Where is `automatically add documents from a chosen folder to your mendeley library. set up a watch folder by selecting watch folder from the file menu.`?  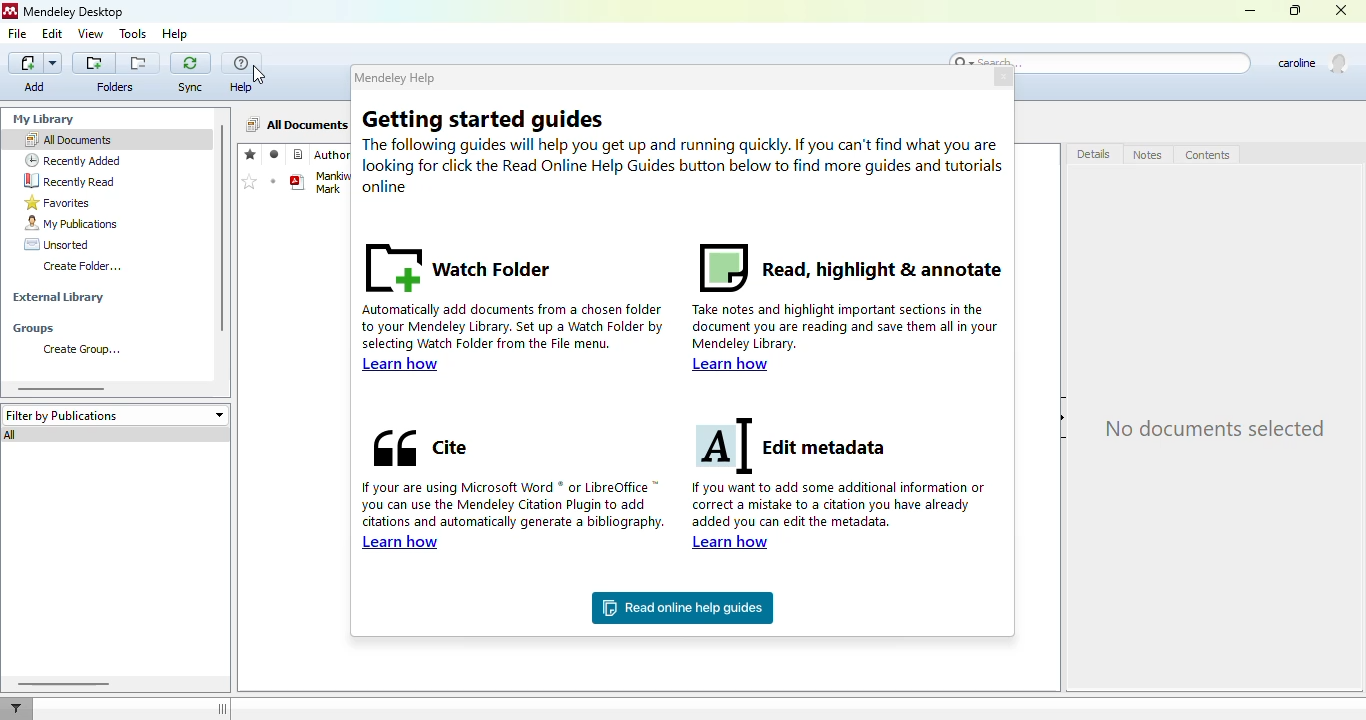 automatically add documents from a chosen folder to your mendeley library. set up a watch folder by selecting watch folder from the file menu. is located at coordinates (513, 326).